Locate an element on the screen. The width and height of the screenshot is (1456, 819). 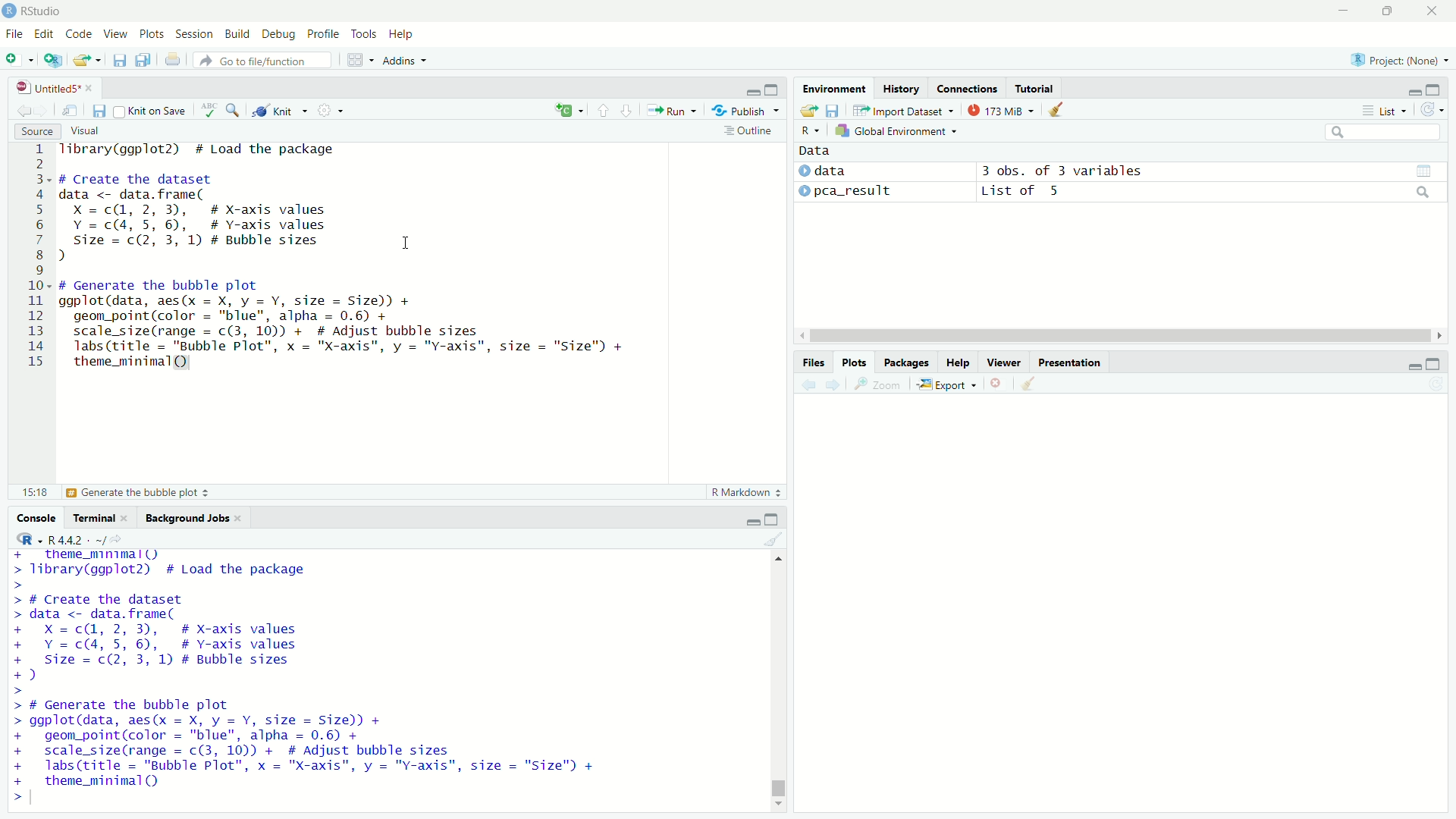
load workspace is located at coordinates (808, 111).